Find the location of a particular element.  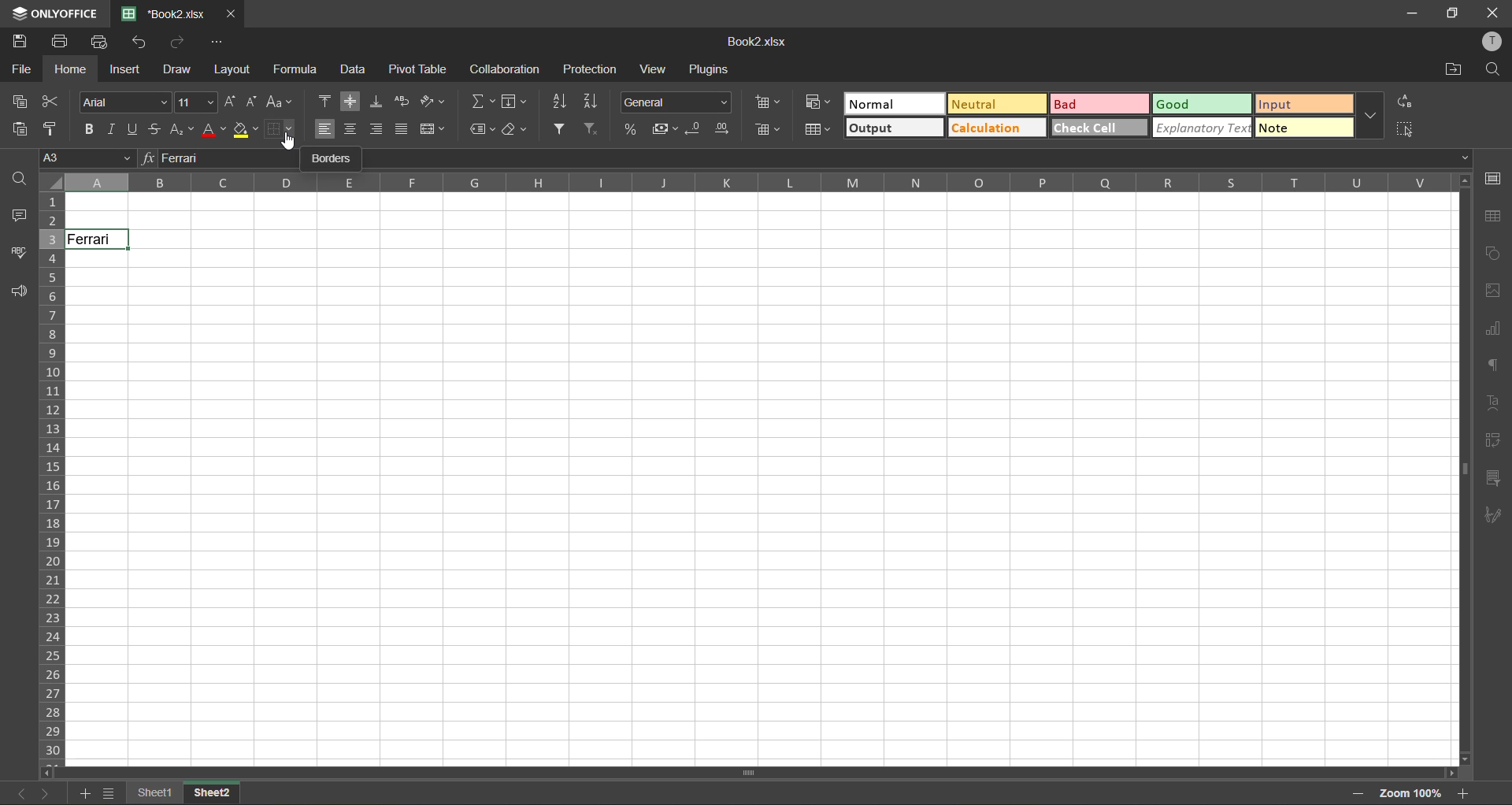

check cell is located at coordinates (1100, 128).